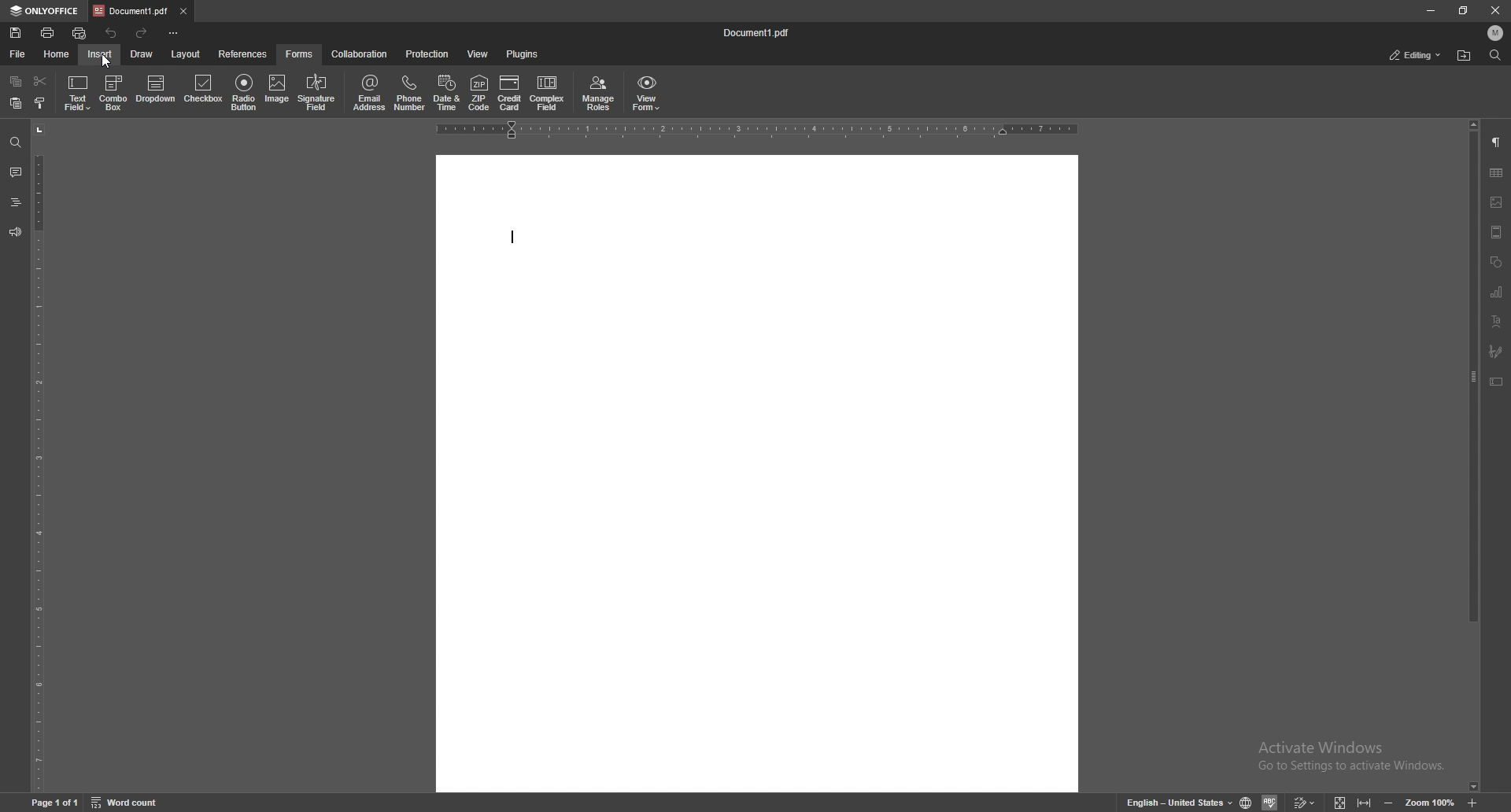  Describe the element at coordinates (1498, 293) in the screenshot. I see `chart` at that location.